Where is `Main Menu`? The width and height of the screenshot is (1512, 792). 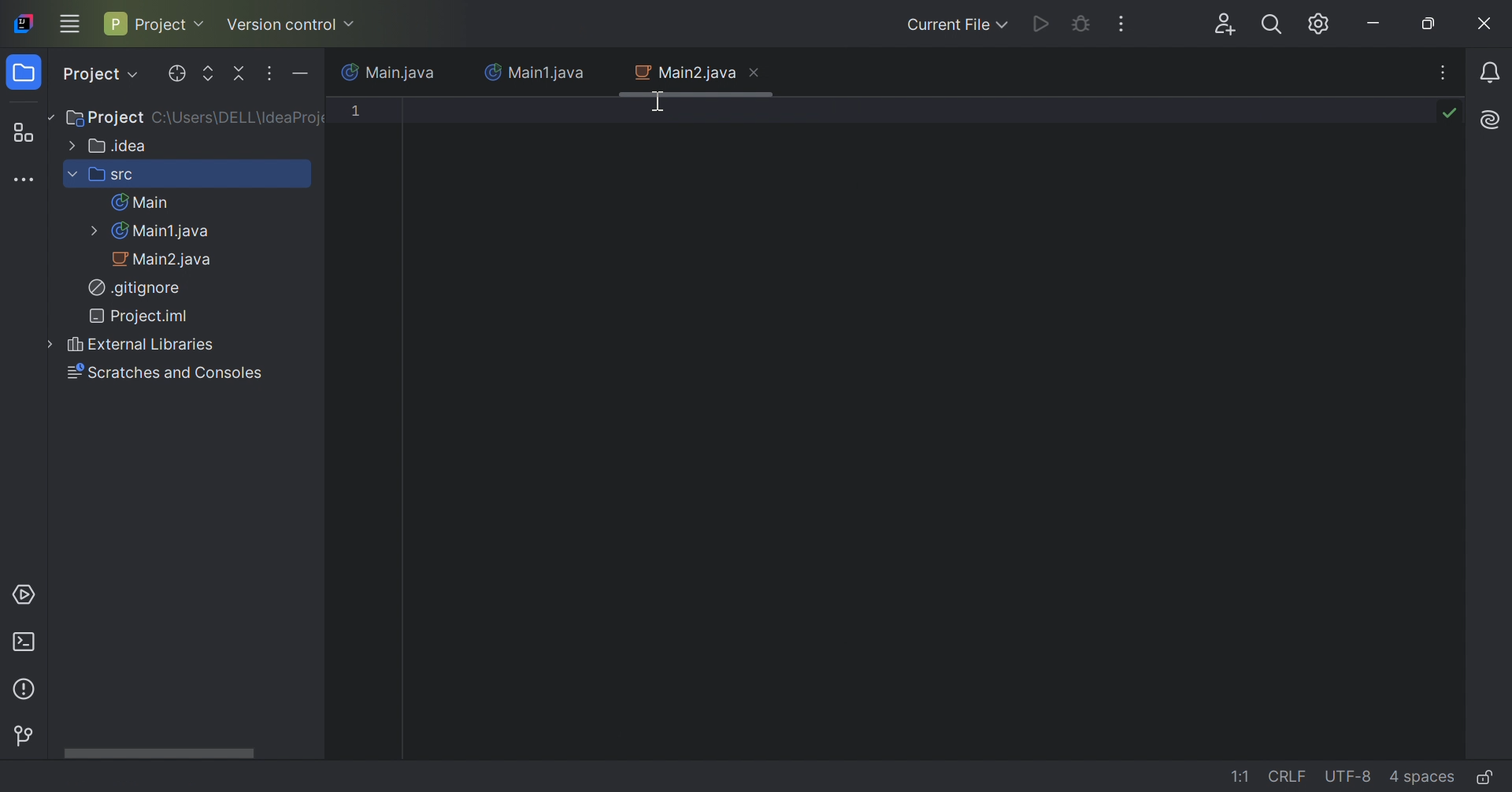
Main Menu is located at coordinates (70, 25).